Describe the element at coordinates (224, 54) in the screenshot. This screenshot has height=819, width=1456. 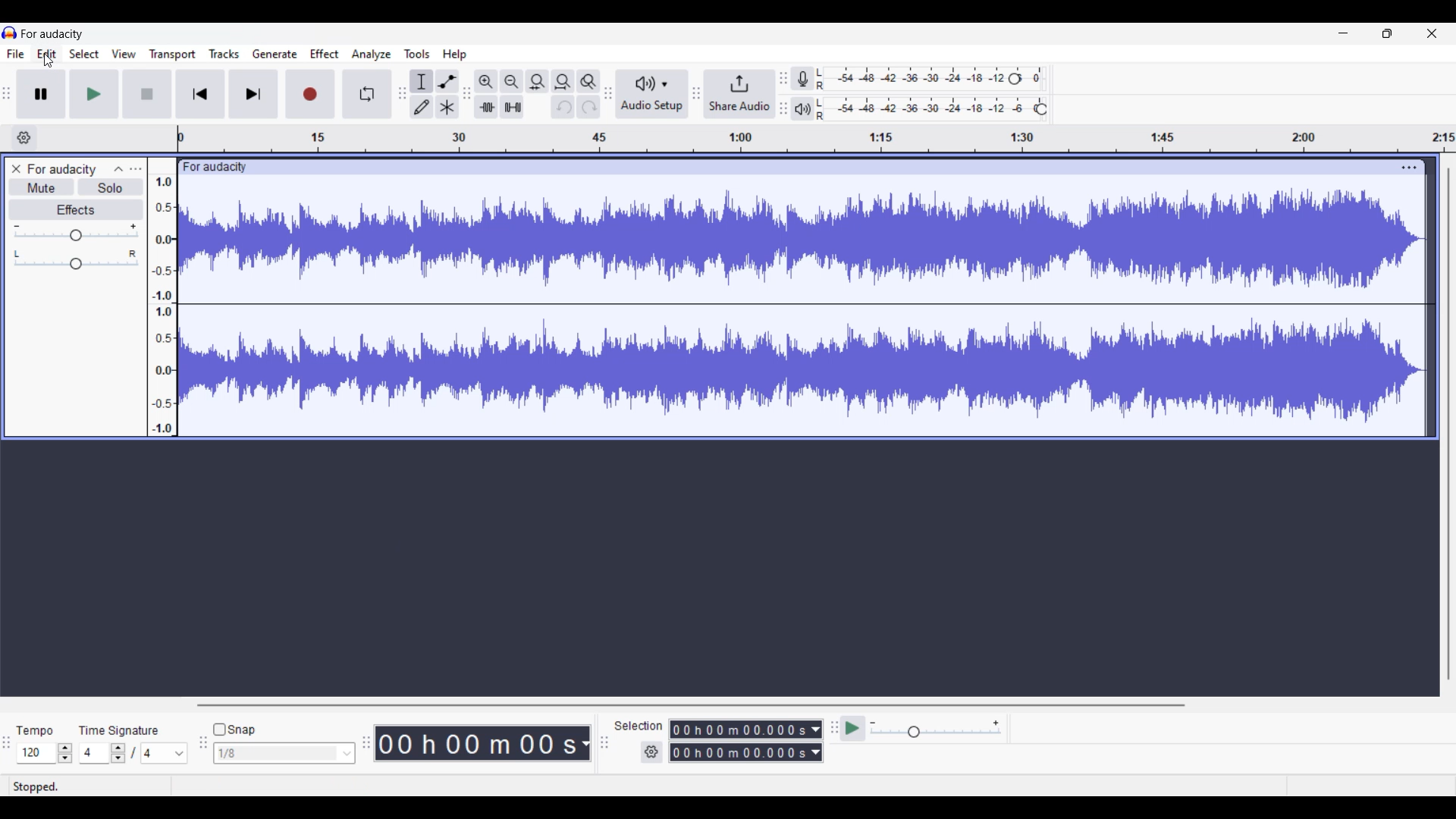
I see `Track menu ` at that location.